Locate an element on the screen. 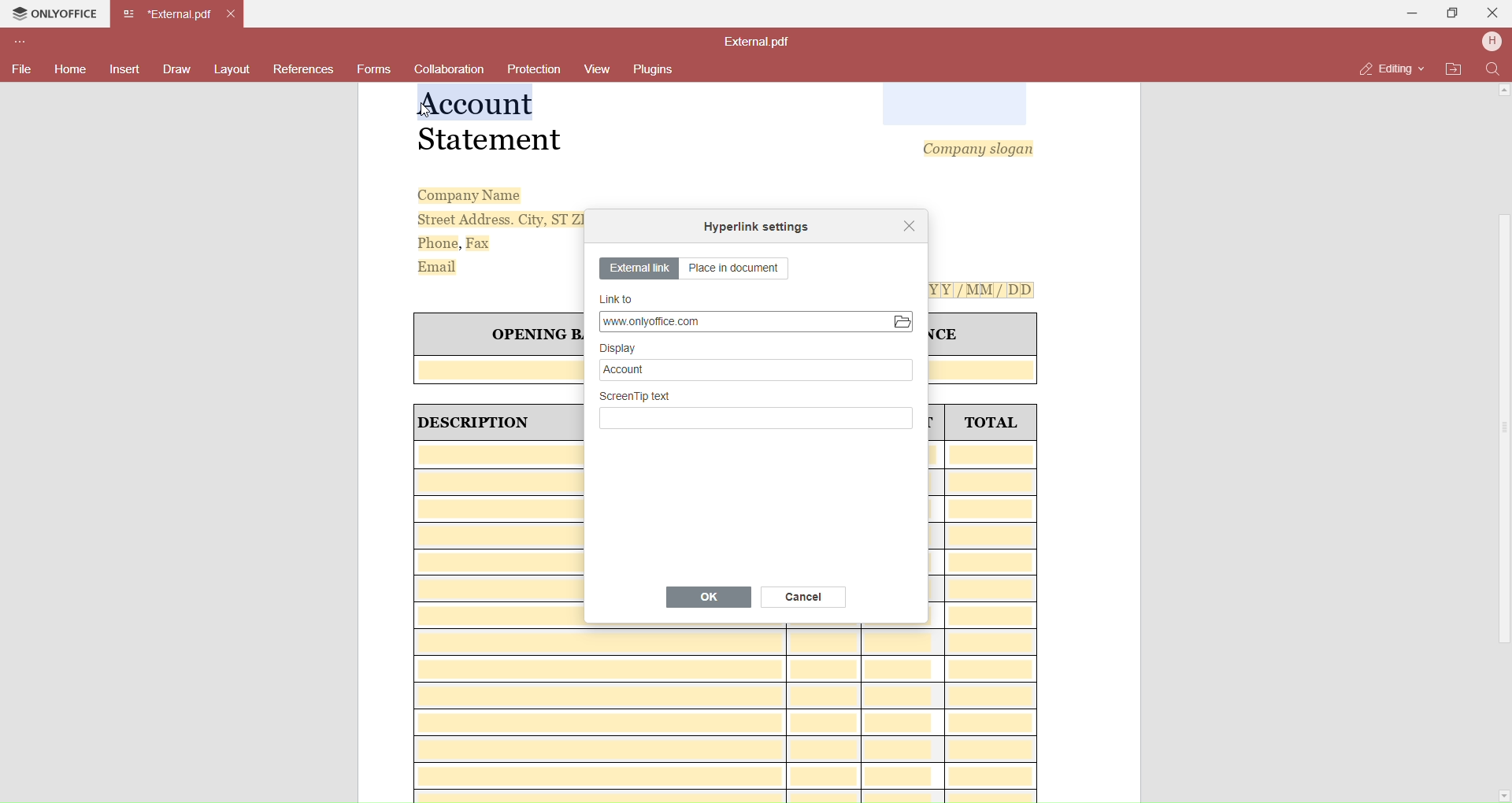  Link is located at coordinates (739, 322).